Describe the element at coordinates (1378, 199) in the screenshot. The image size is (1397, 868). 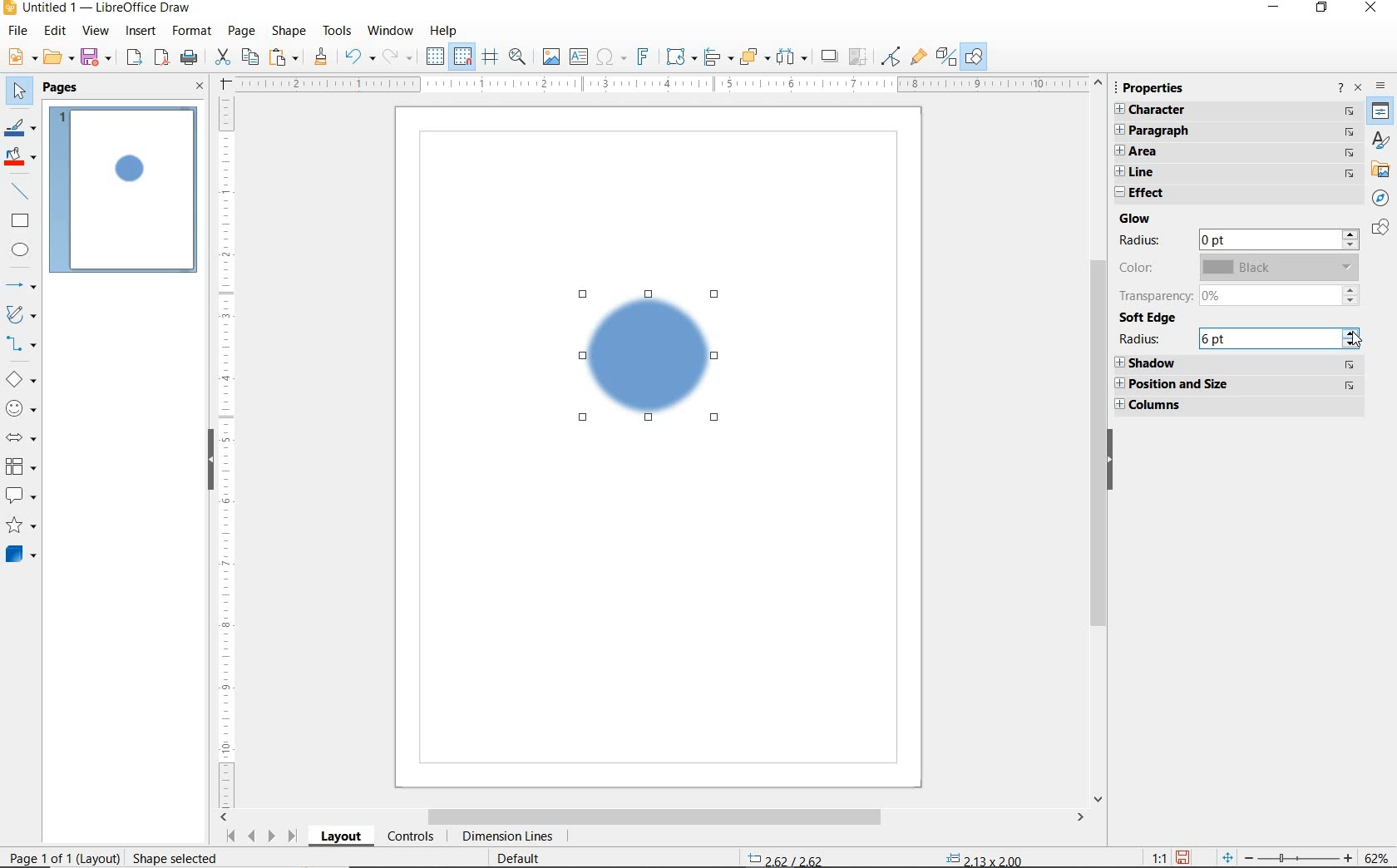
I see `NAVIGATOR` at that location.